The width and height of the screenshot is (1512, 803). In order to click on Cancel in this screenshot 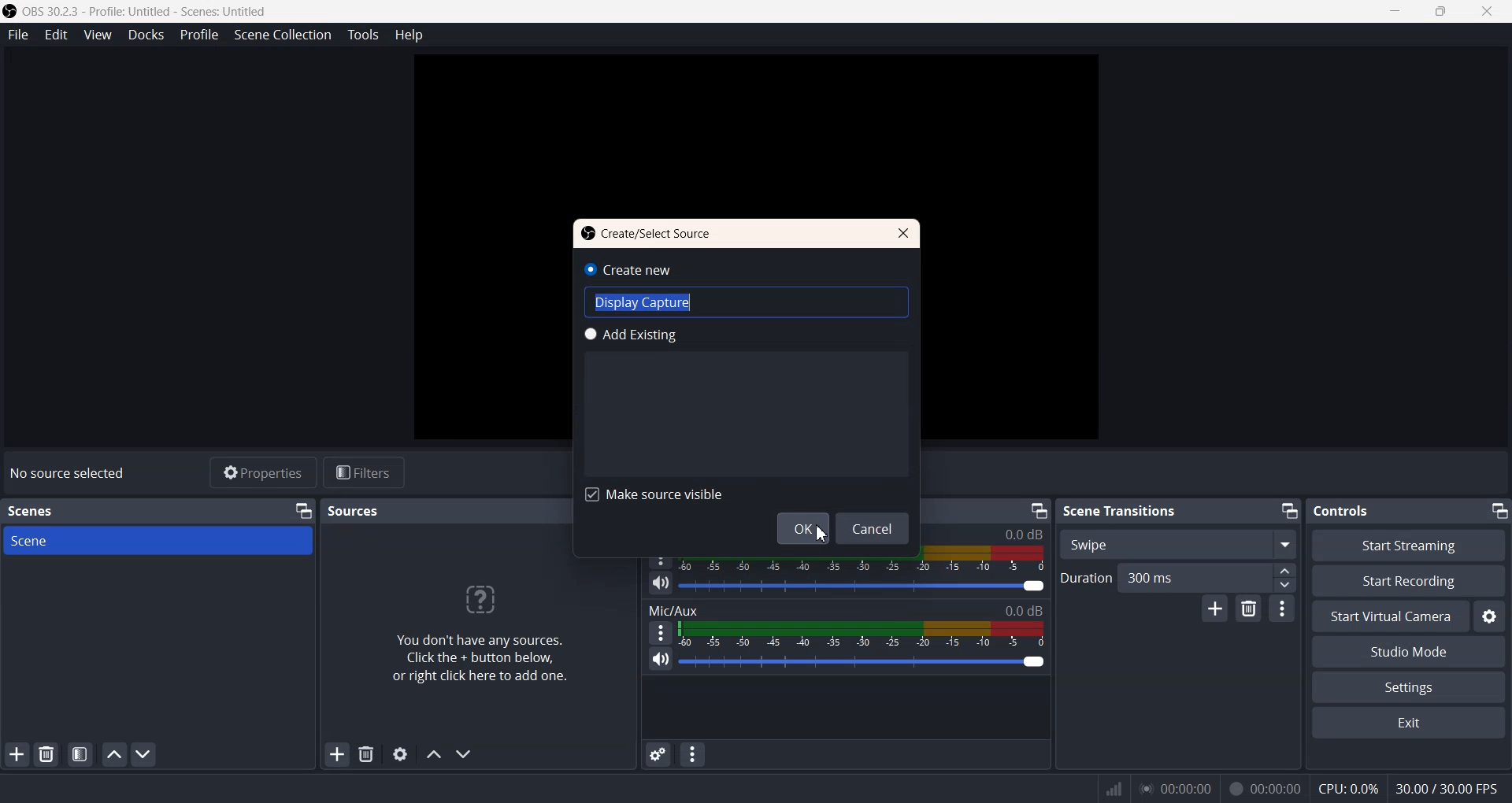, I will do `click(876, 529)`.